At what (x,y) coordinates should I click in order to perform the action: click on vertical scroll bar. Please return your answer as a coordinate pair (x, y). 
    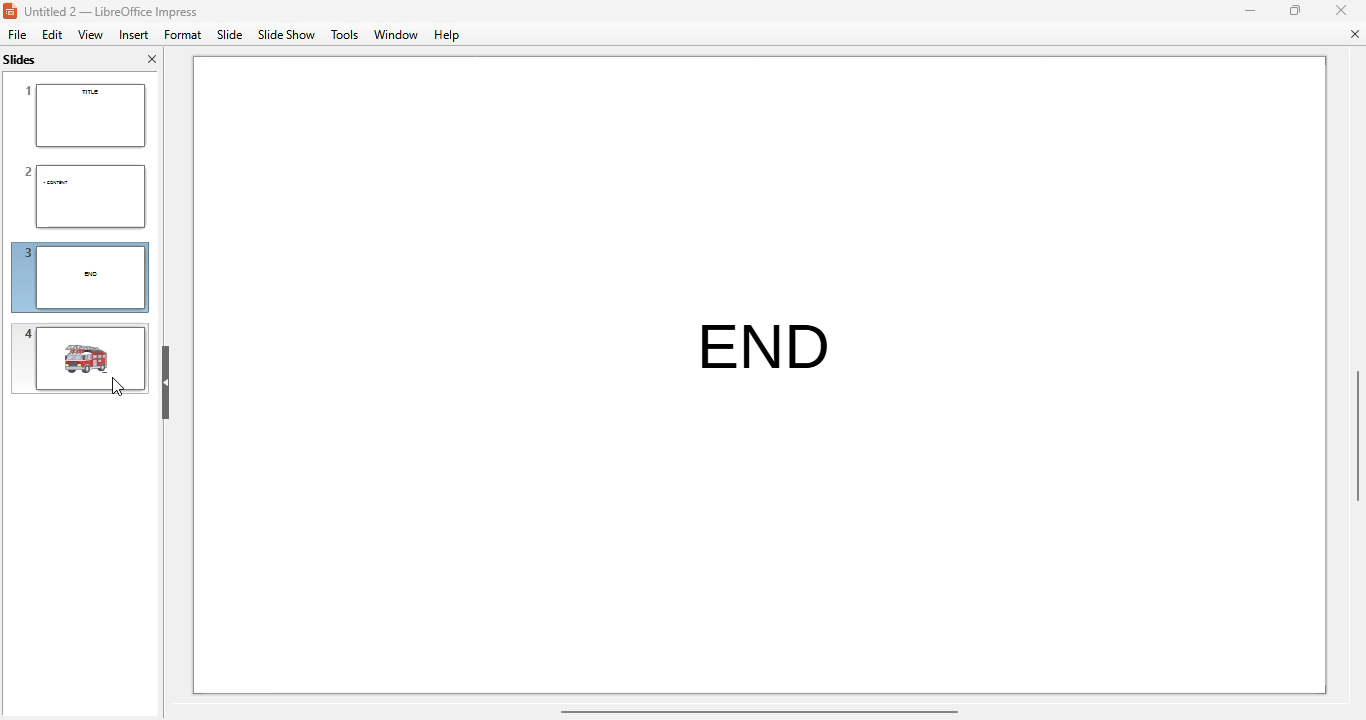
    Looking at the image, I should click on (1357, 436).